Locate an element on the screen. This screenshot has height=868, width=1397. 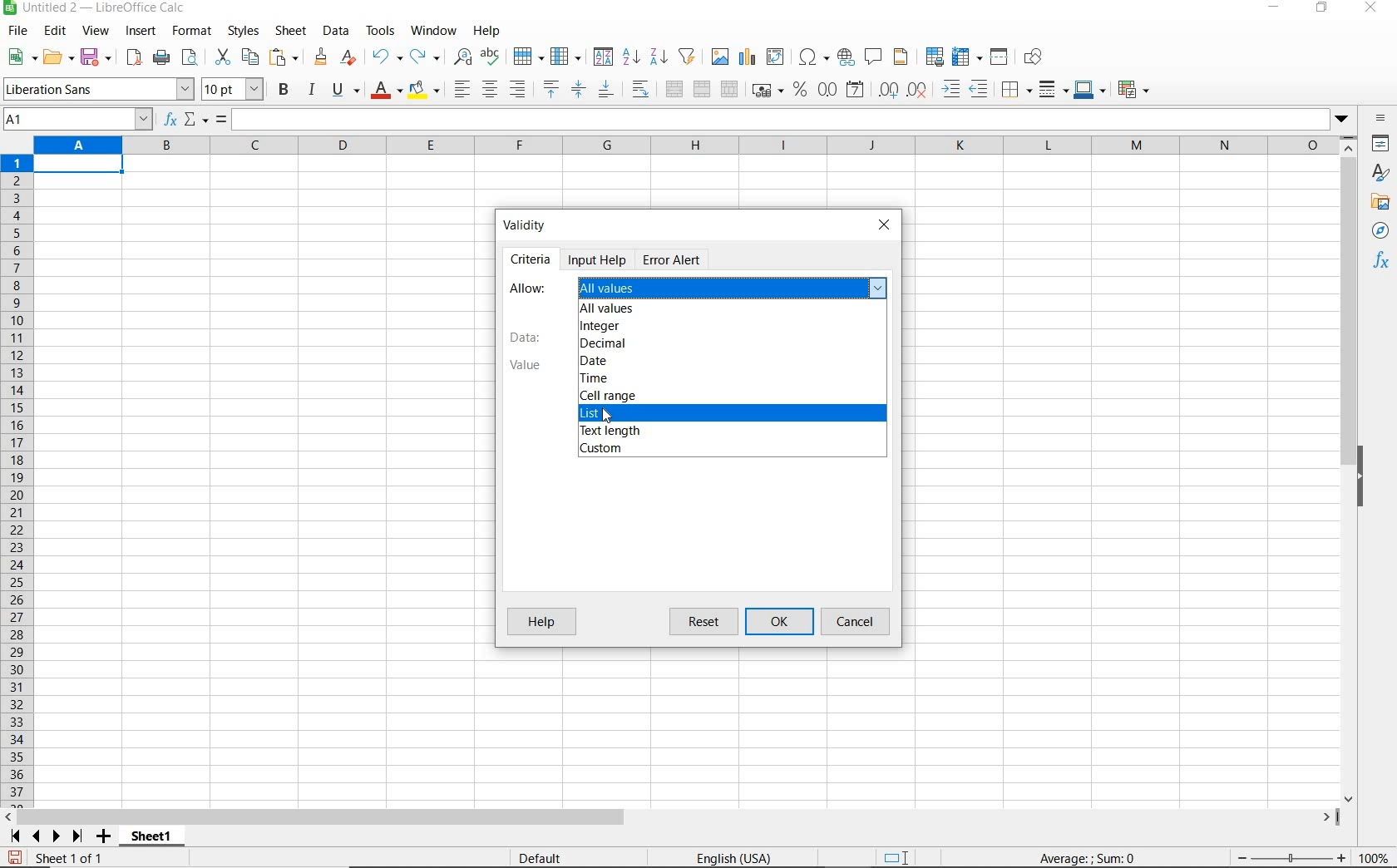
date is located at coordinates (595, 362).